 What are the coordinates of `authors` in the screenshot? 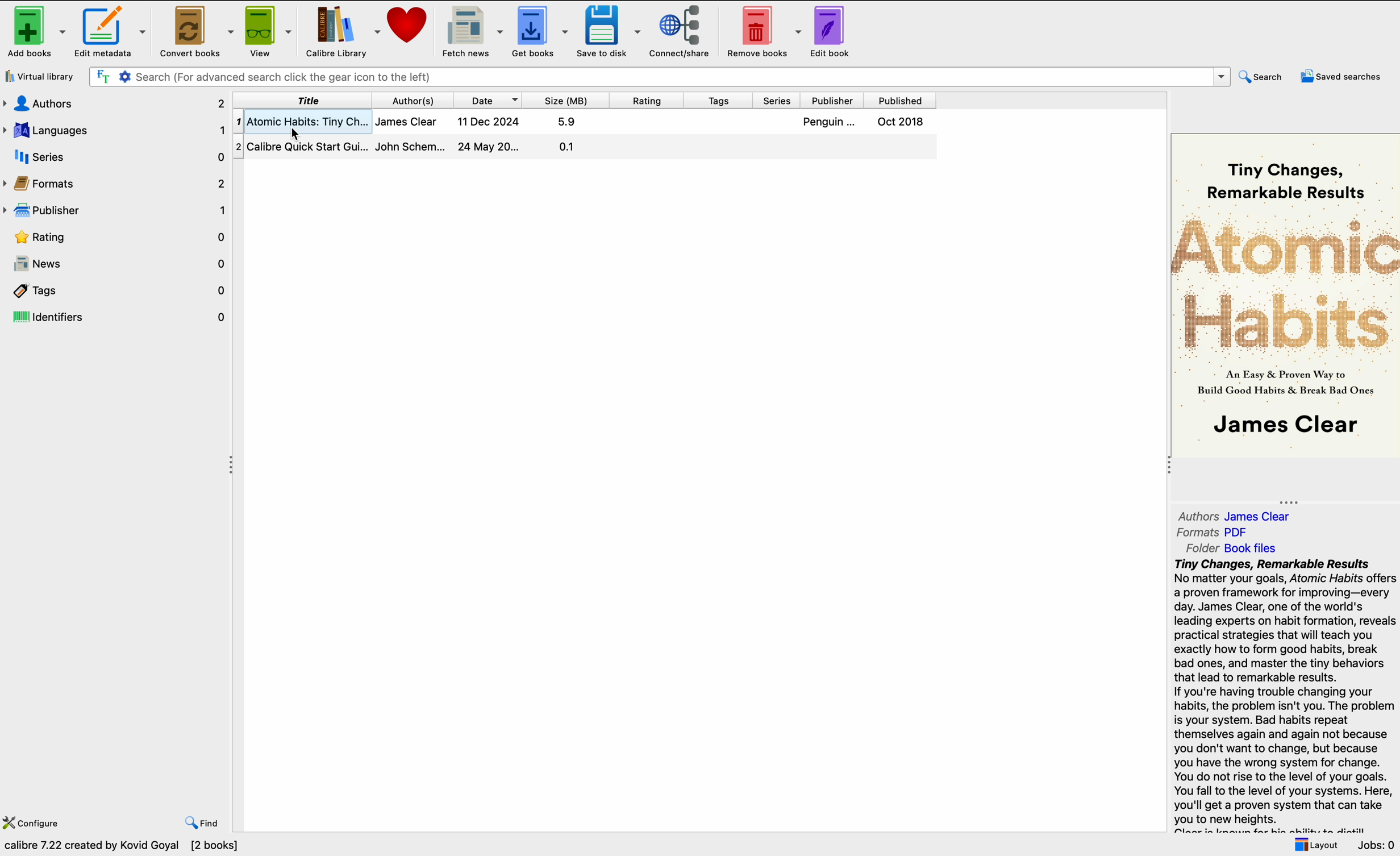 It's located at (1238, 516).